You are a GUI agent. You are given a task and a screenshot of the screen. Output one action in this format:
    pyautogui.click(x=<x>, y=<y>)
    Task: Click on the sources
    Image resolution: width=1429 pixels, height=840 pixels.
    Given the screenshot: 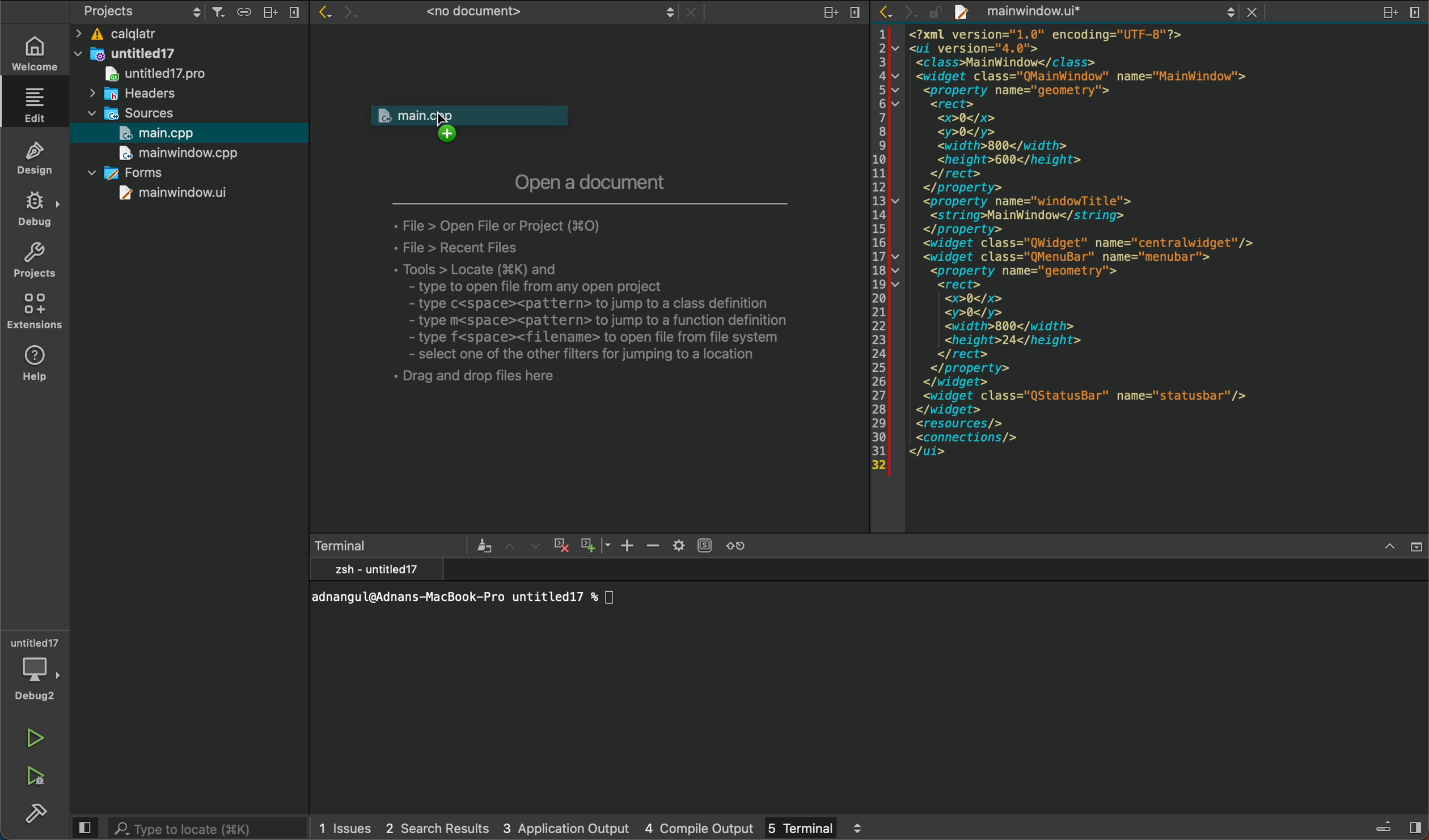 What is the action you would take?
    pyautogui.click(x=124, y=115)
    